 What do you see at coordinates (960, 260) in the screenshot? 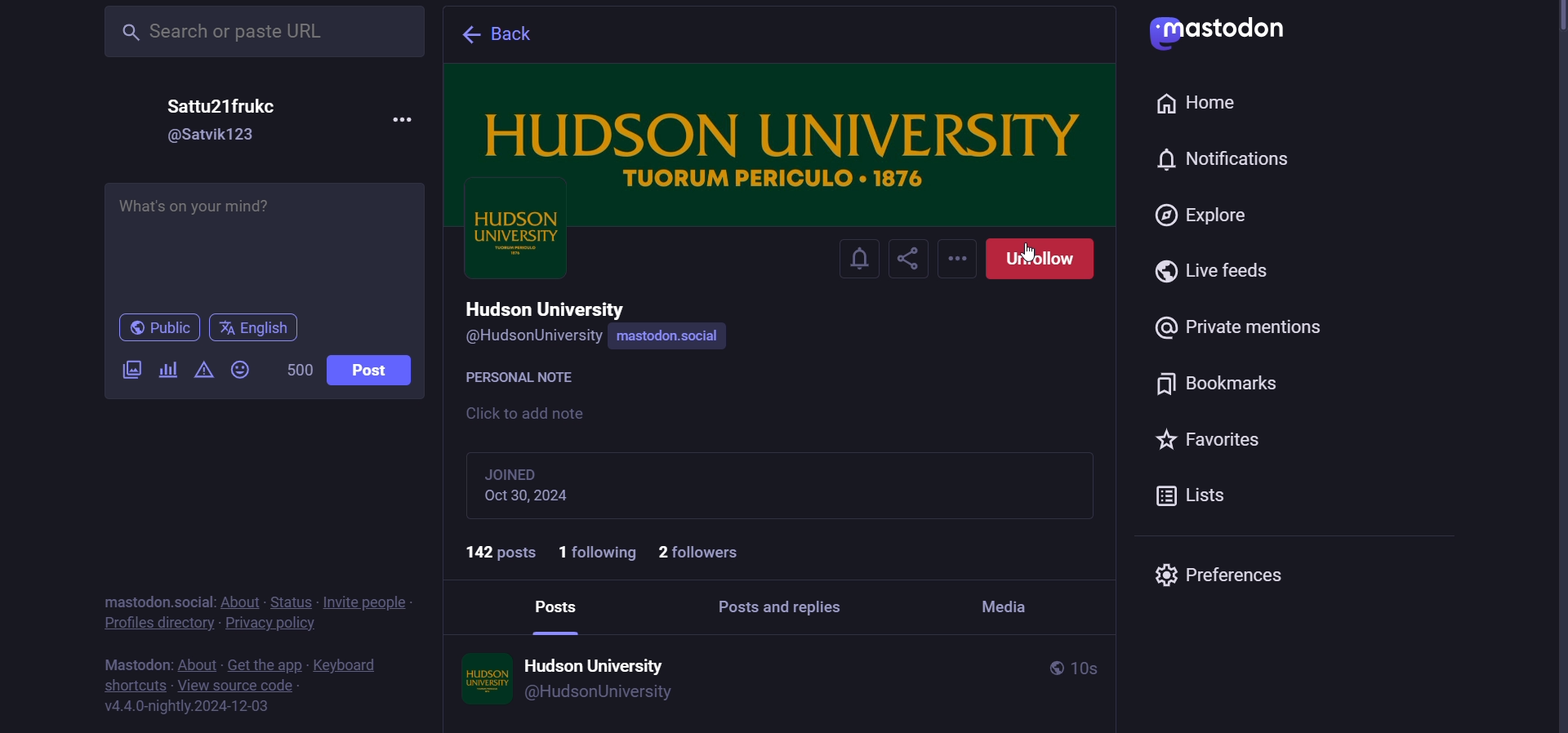
I see `more` at bounding box center [960, 260].